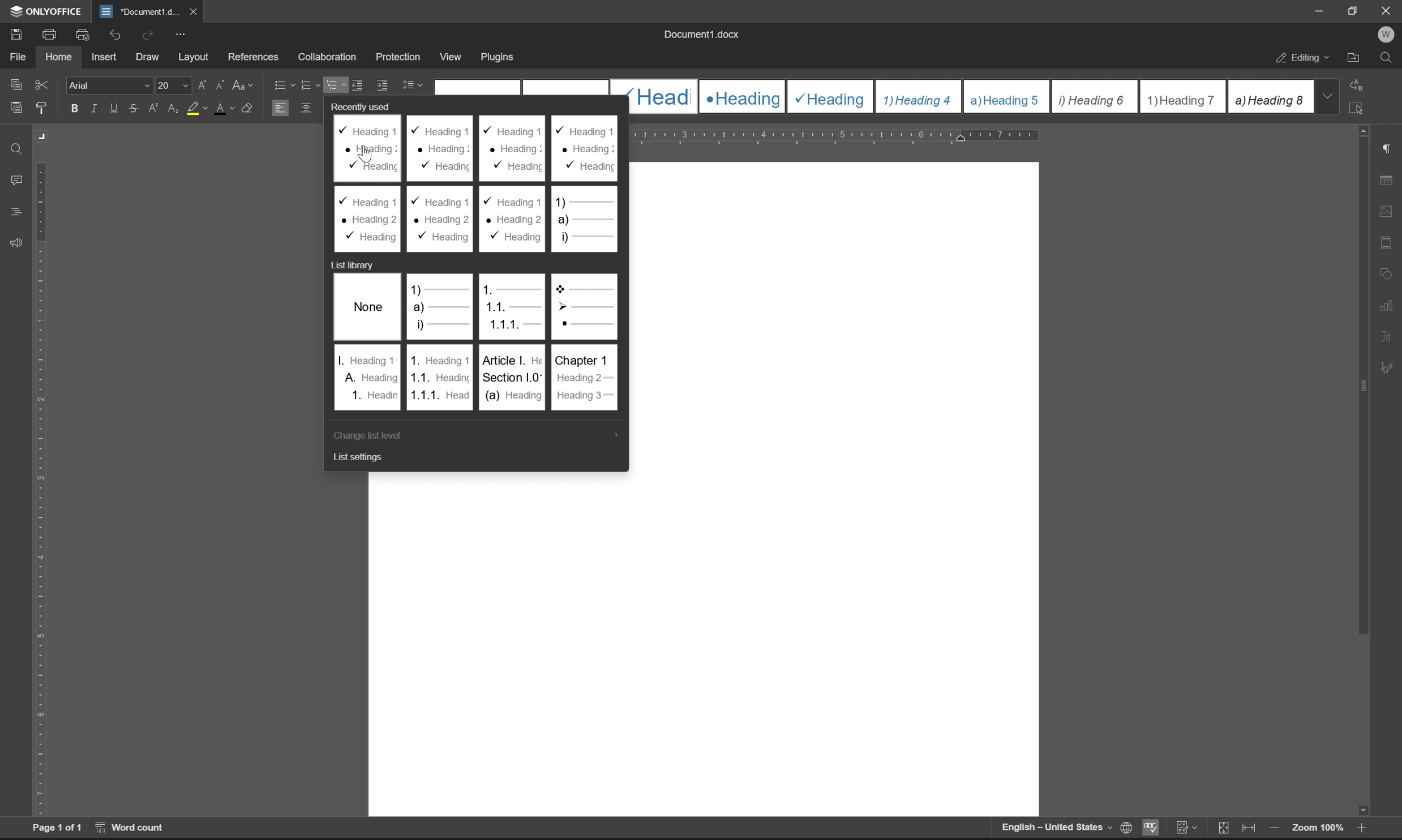 Image resolution: width=1402 pixels, height=840 pixels. I want to click on strikethrough, so click(134, 108).